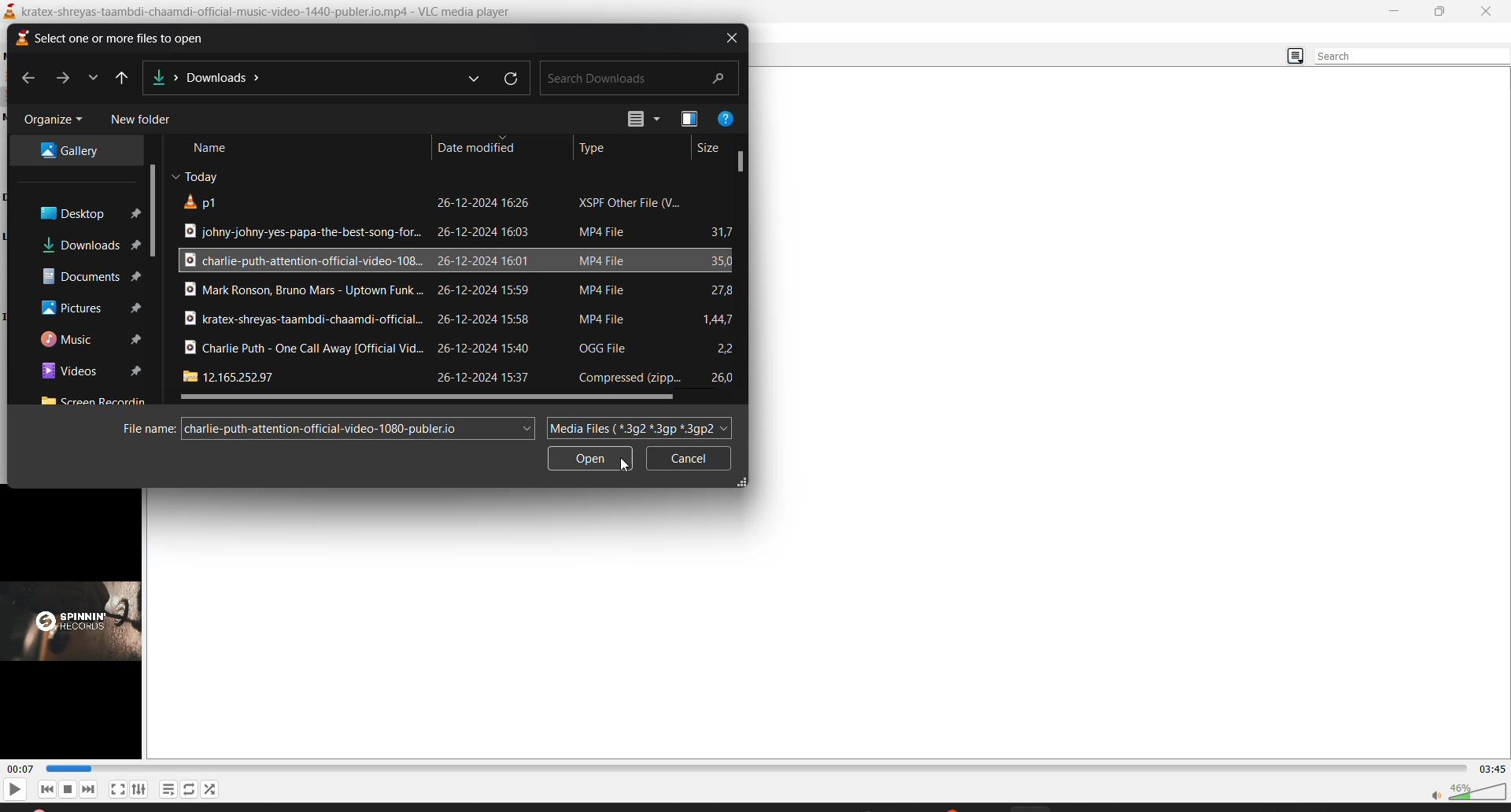 This screenshot has width=1511, height=812. What do you see at coordinates (641, 79) in the screenshot?
I see `search` at bounding box center [641, 79].